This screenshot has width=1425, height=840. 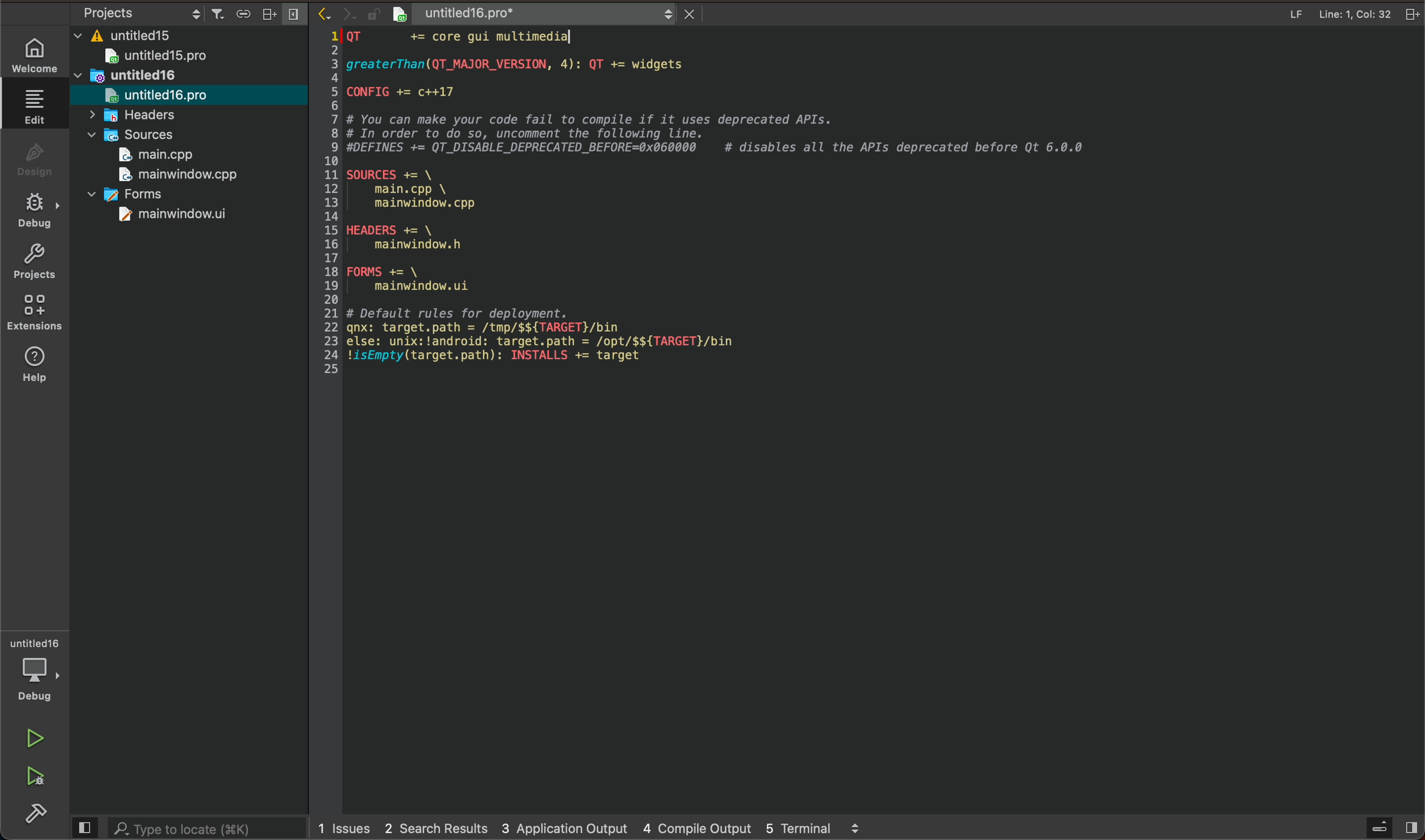 What do you see at coordinates (186, 828) in the screenshot?
I see `search` at bounding box center [186, 828].